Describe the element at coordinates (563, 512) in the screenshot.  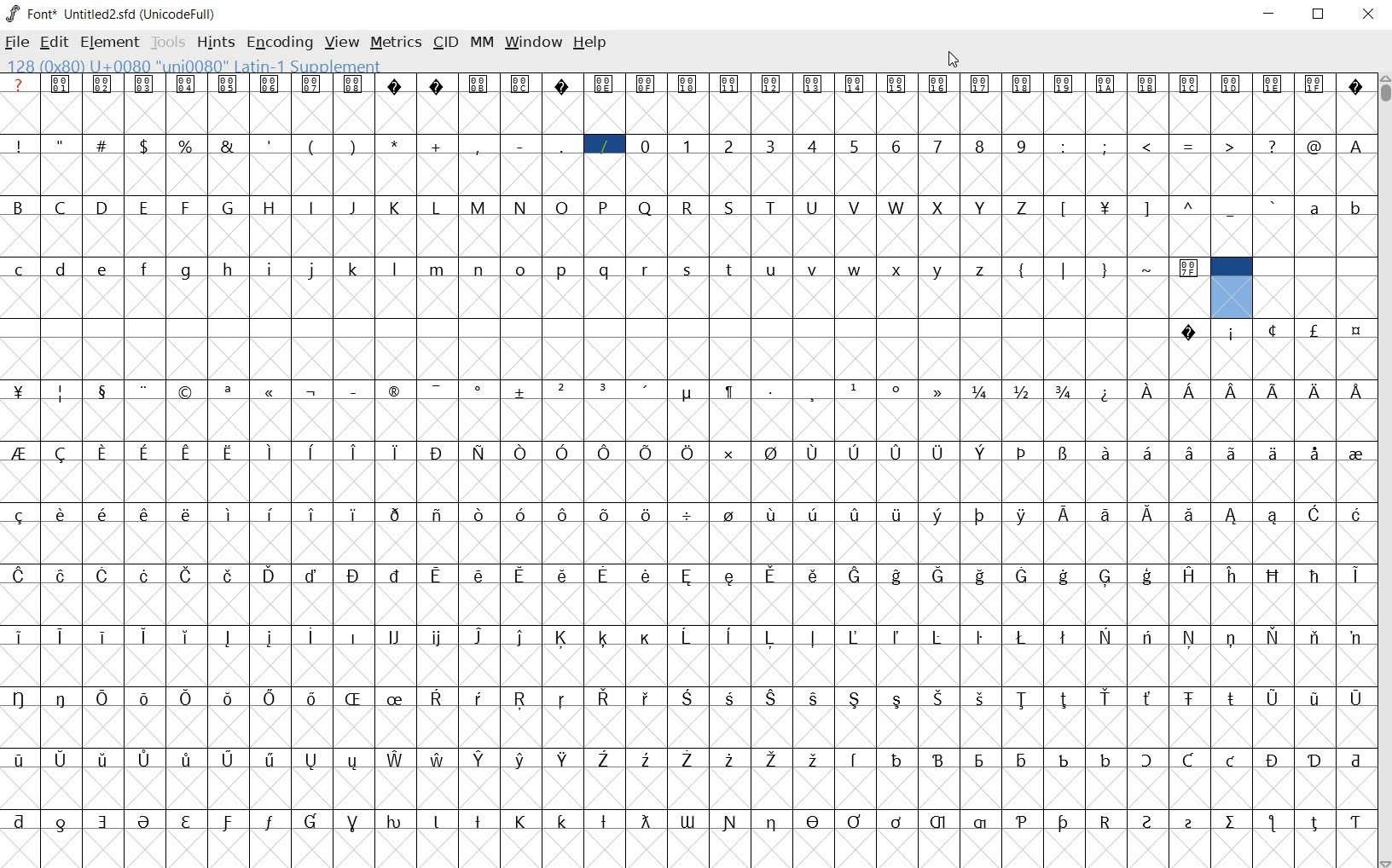
I see `Symbol` at that location.